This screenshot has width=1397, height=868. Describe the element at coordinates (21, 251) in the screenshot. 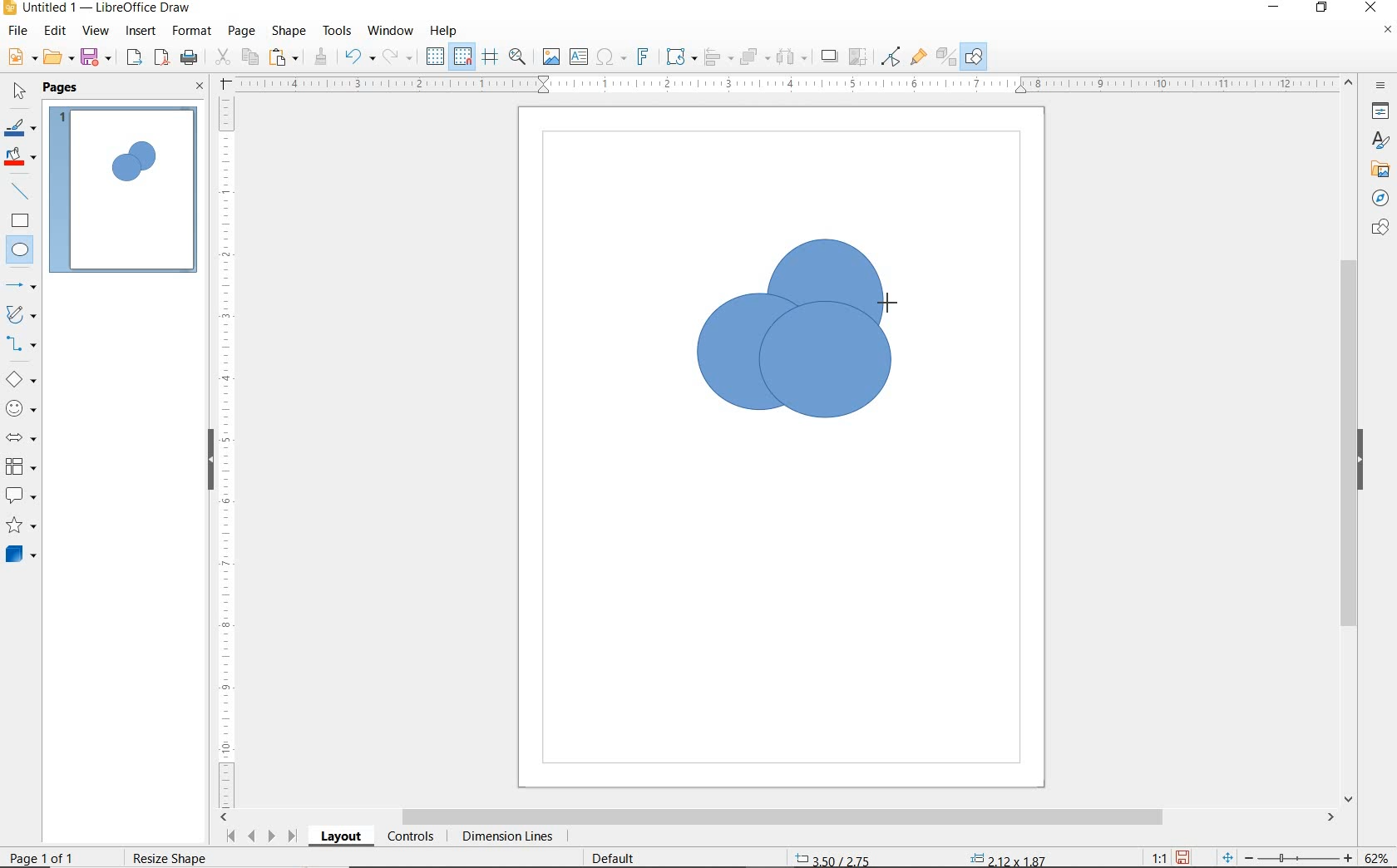

I see `ELLIPSE` at that location.